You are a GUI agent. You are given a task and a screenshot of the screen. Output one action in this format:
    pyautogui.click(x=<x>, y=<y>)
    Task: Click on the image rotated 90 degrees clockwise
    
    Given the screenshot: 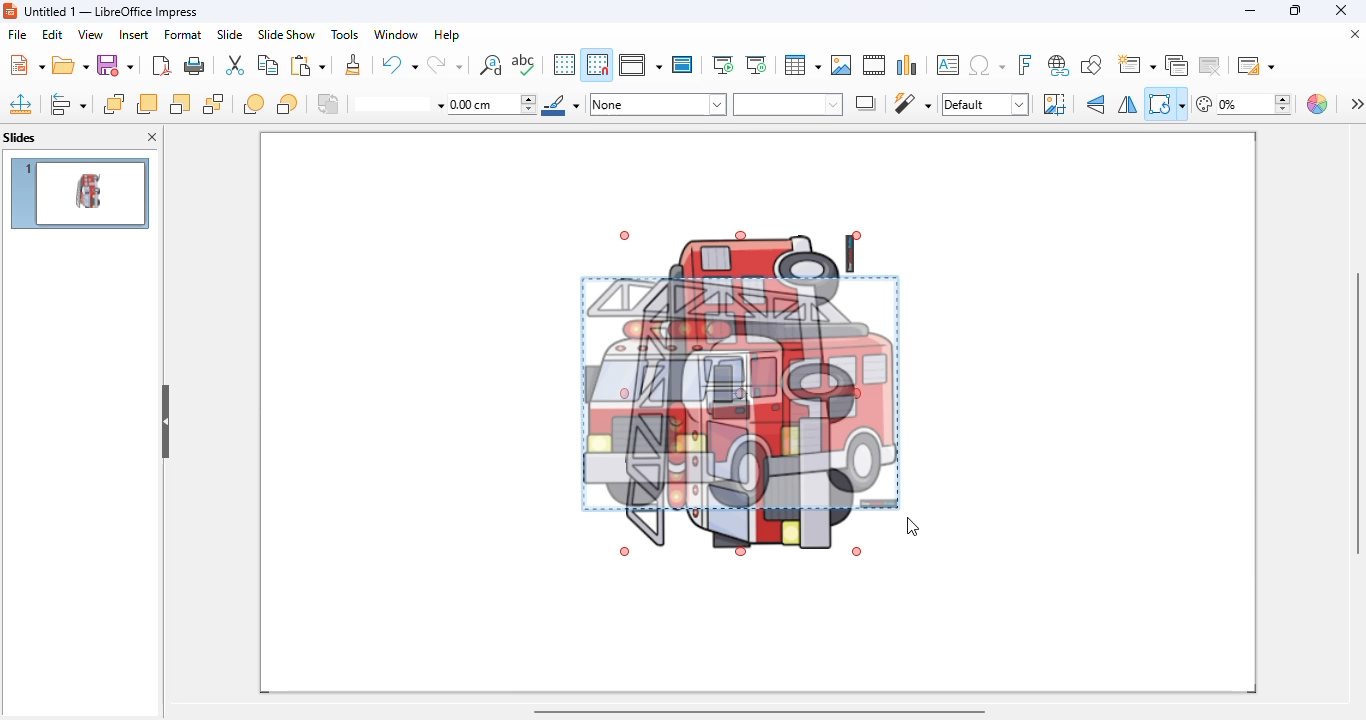 What is the action you would take?
    pyautogui.click(x=739, y=393)
    